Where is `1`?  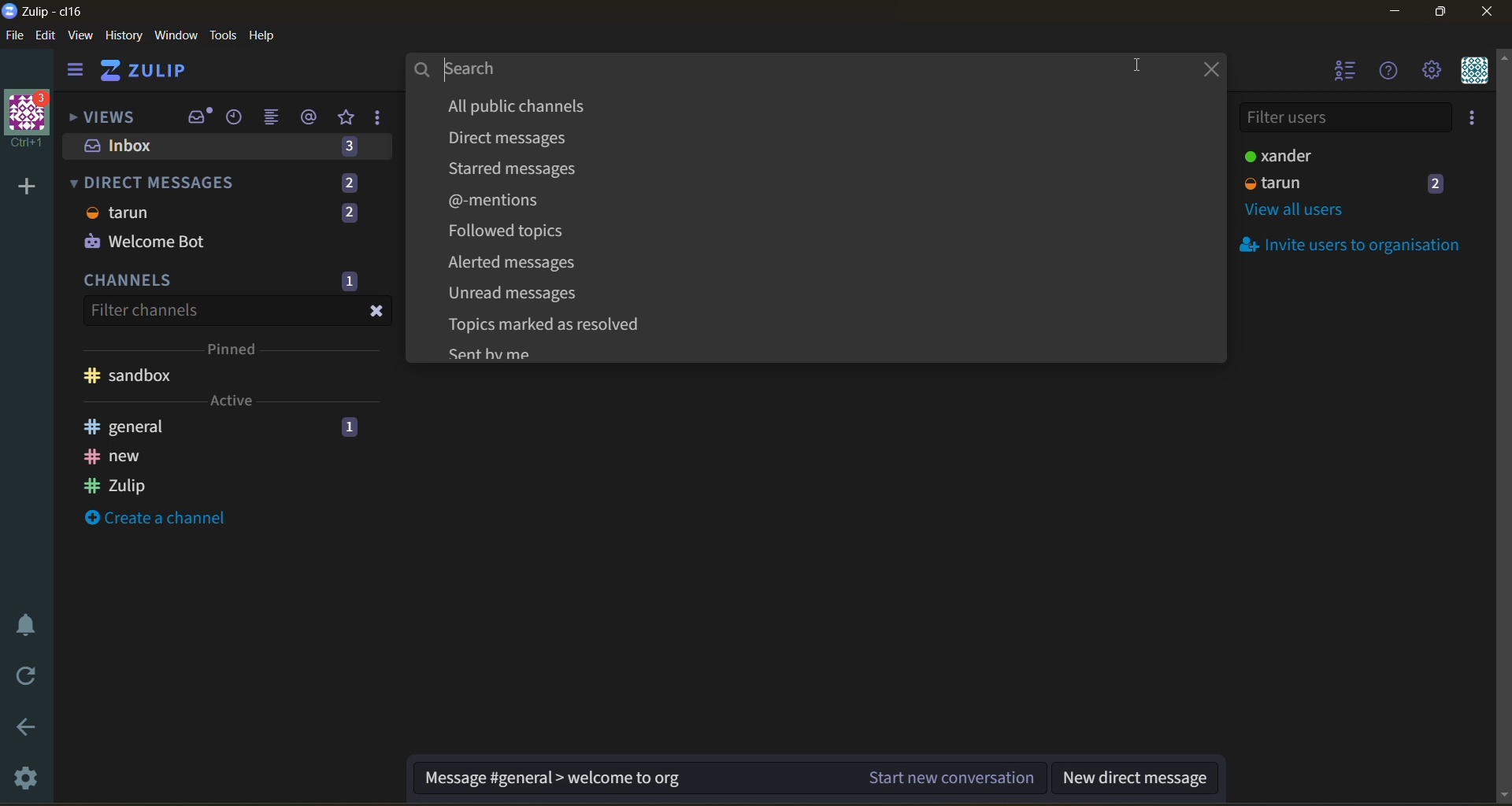
1 is located at coordinates (350, 427).